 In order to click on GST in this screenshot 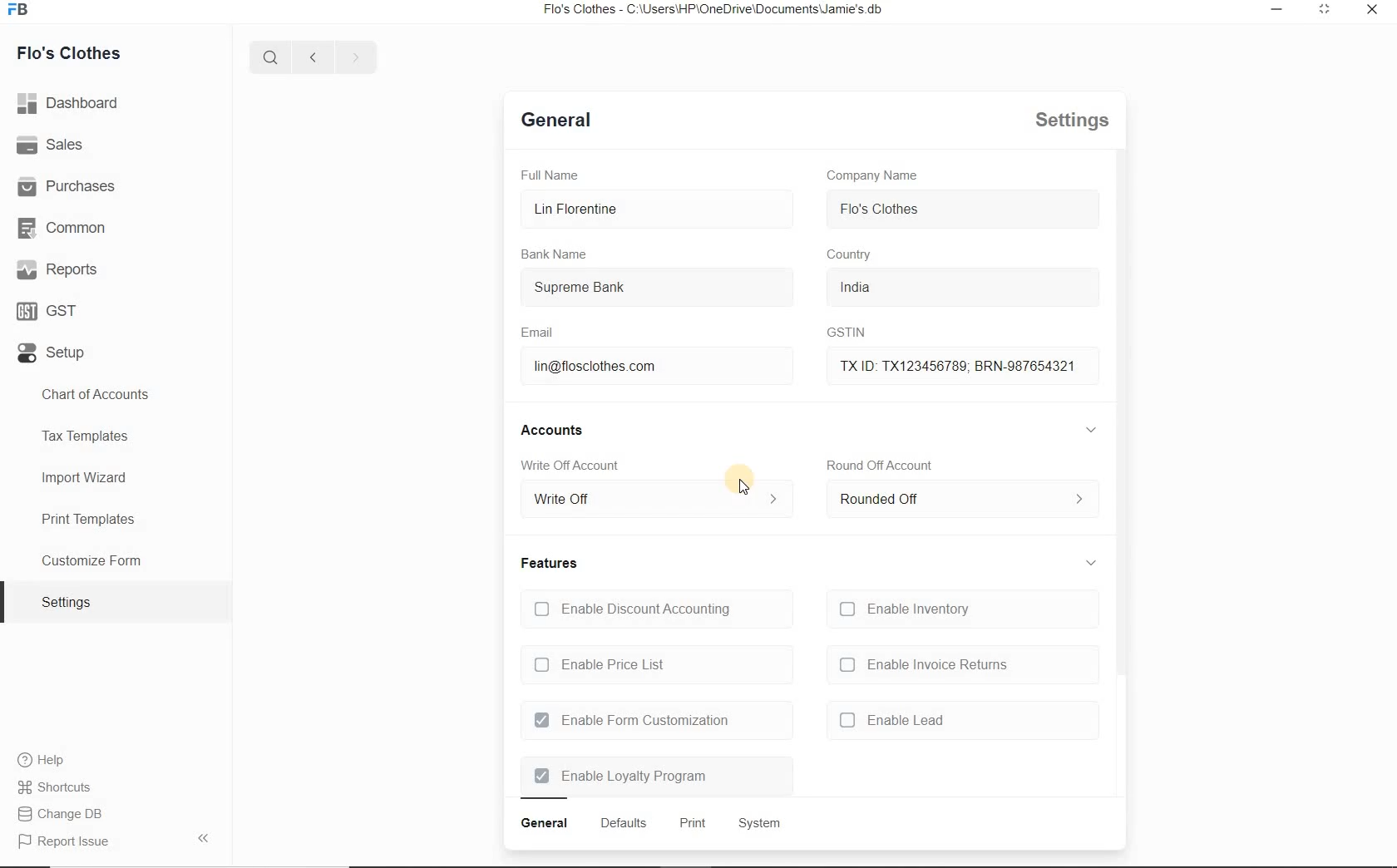, I will do `click(50, 311)`.